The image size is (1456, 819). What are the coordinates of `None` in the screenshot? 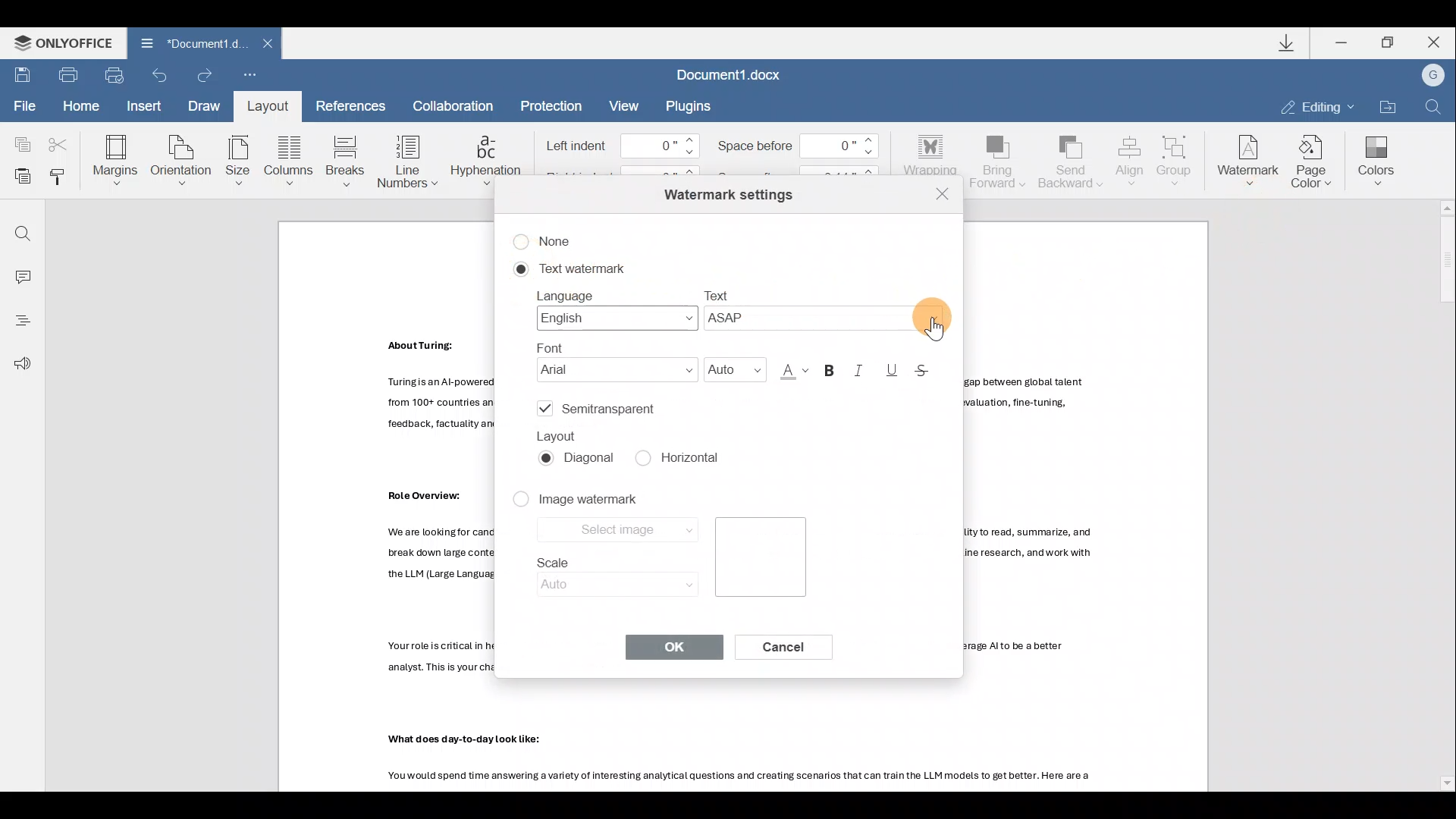 It's located at (554, 238).